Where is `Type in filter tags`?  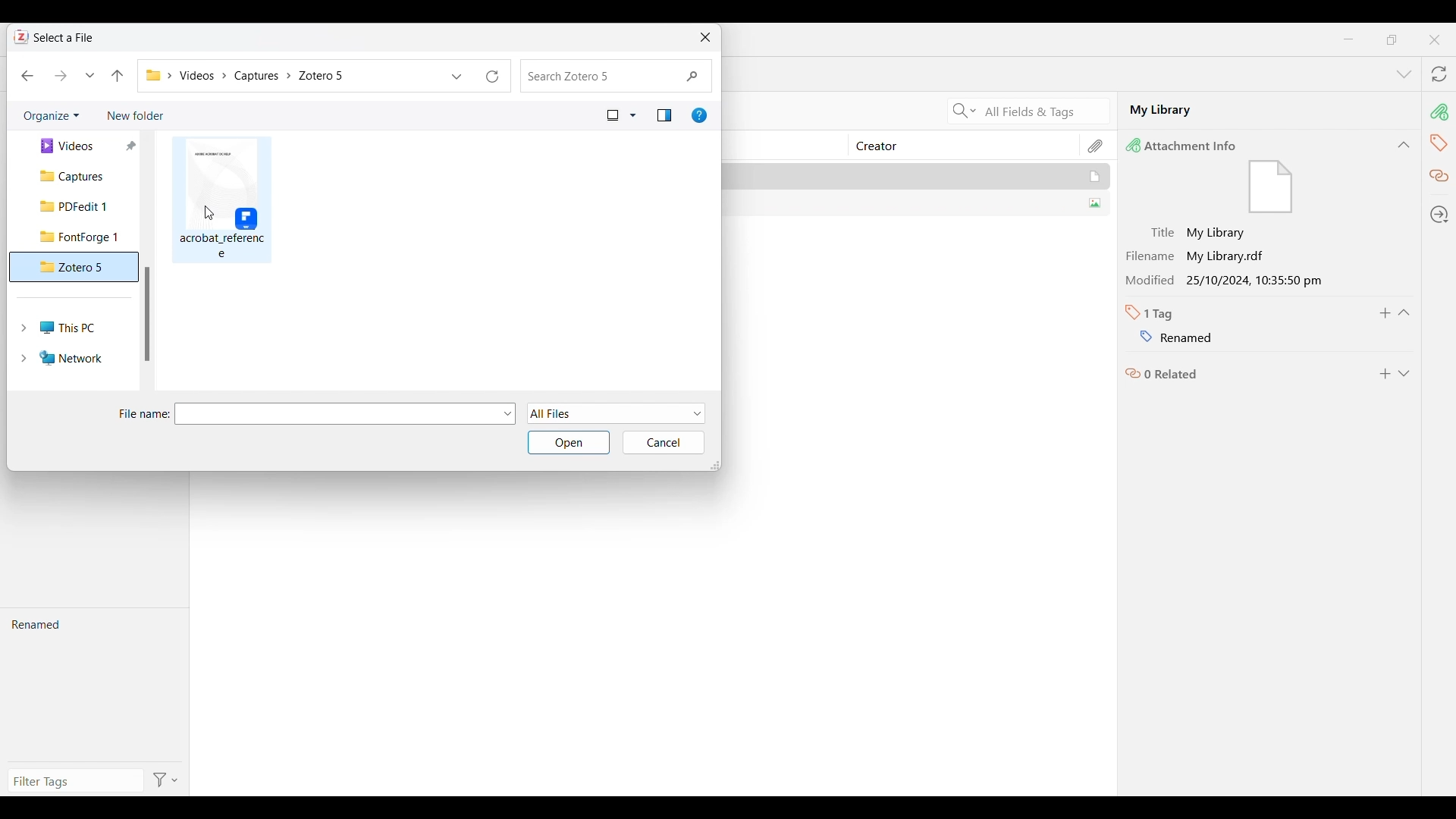
Type in filter tags is located at coordinates (75, 780).